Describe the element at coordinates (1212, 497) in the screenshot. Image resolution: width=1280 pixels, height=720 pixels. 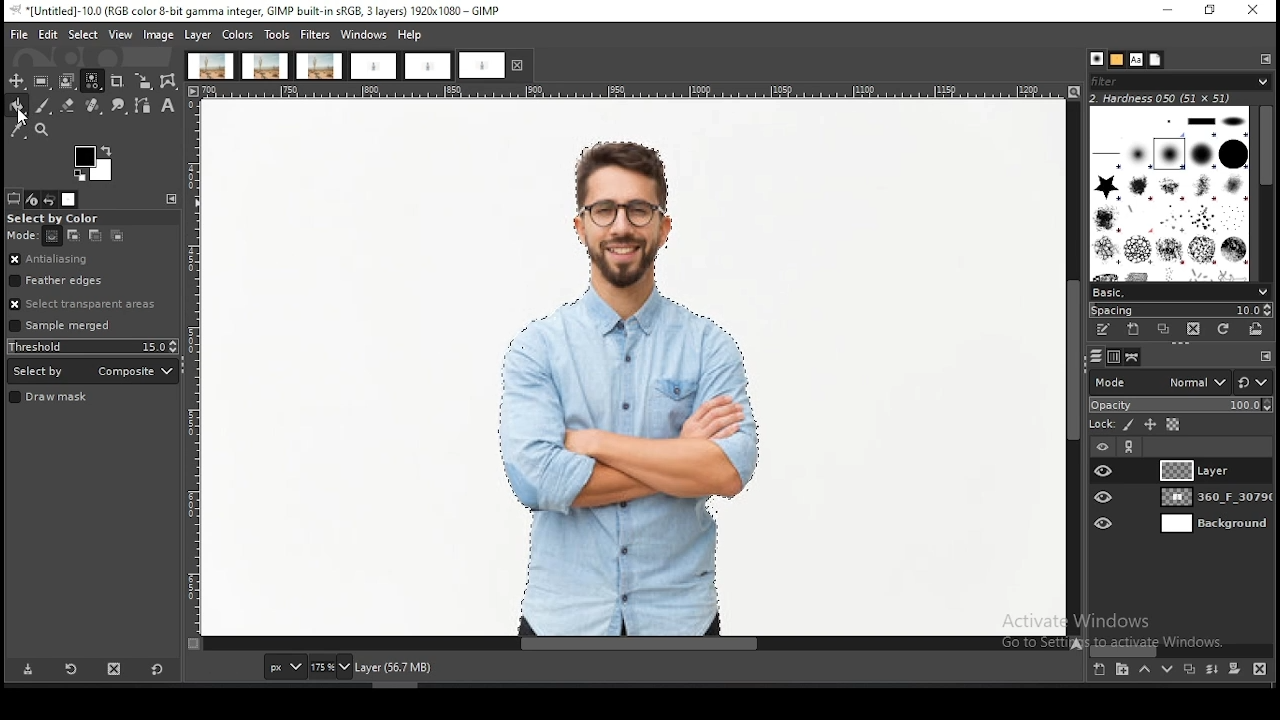
I see `layer` at that location.